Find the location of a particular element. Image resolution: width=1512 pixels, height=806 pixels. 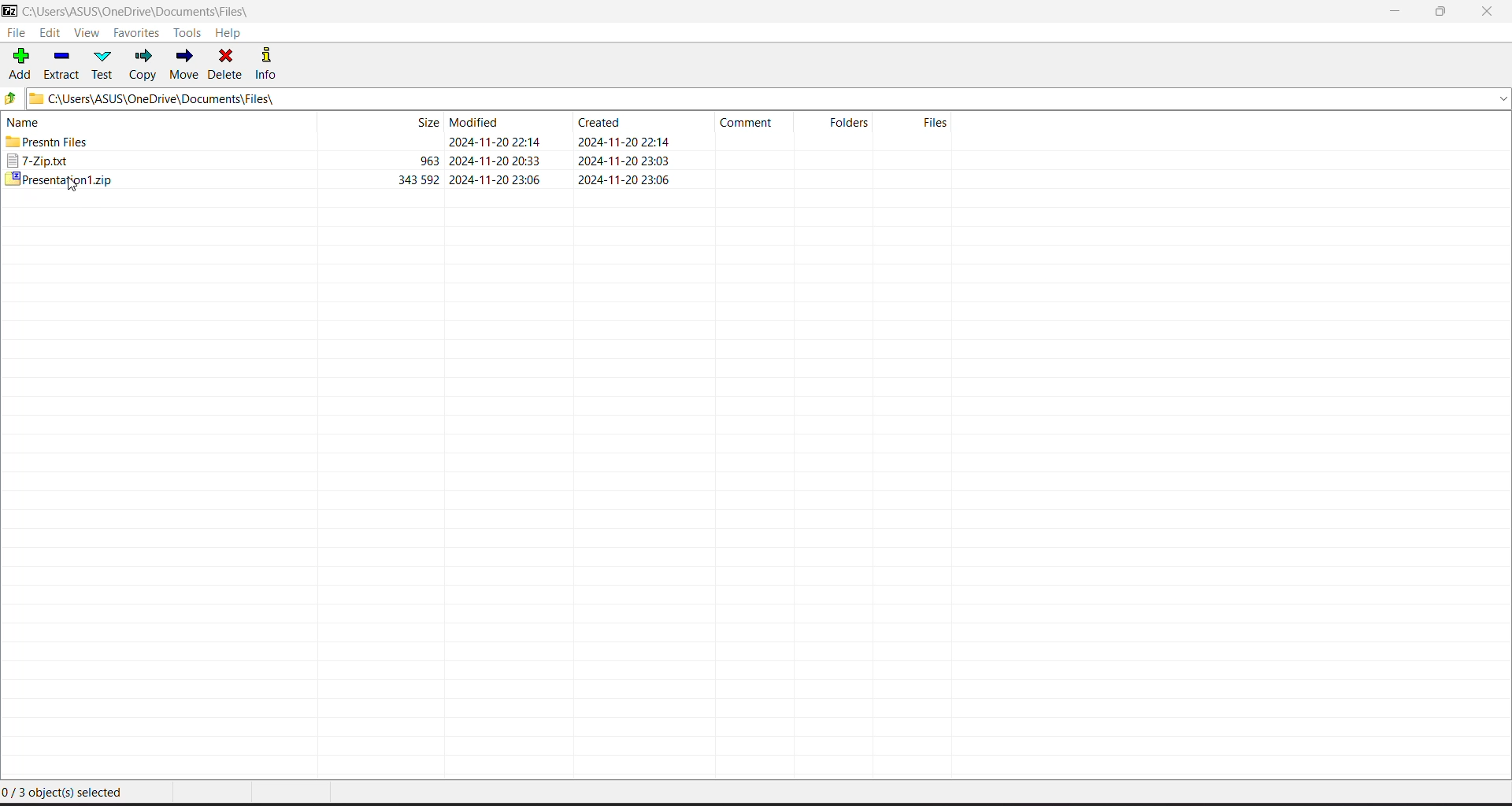

Cursor is located at coordinates (72, 186).